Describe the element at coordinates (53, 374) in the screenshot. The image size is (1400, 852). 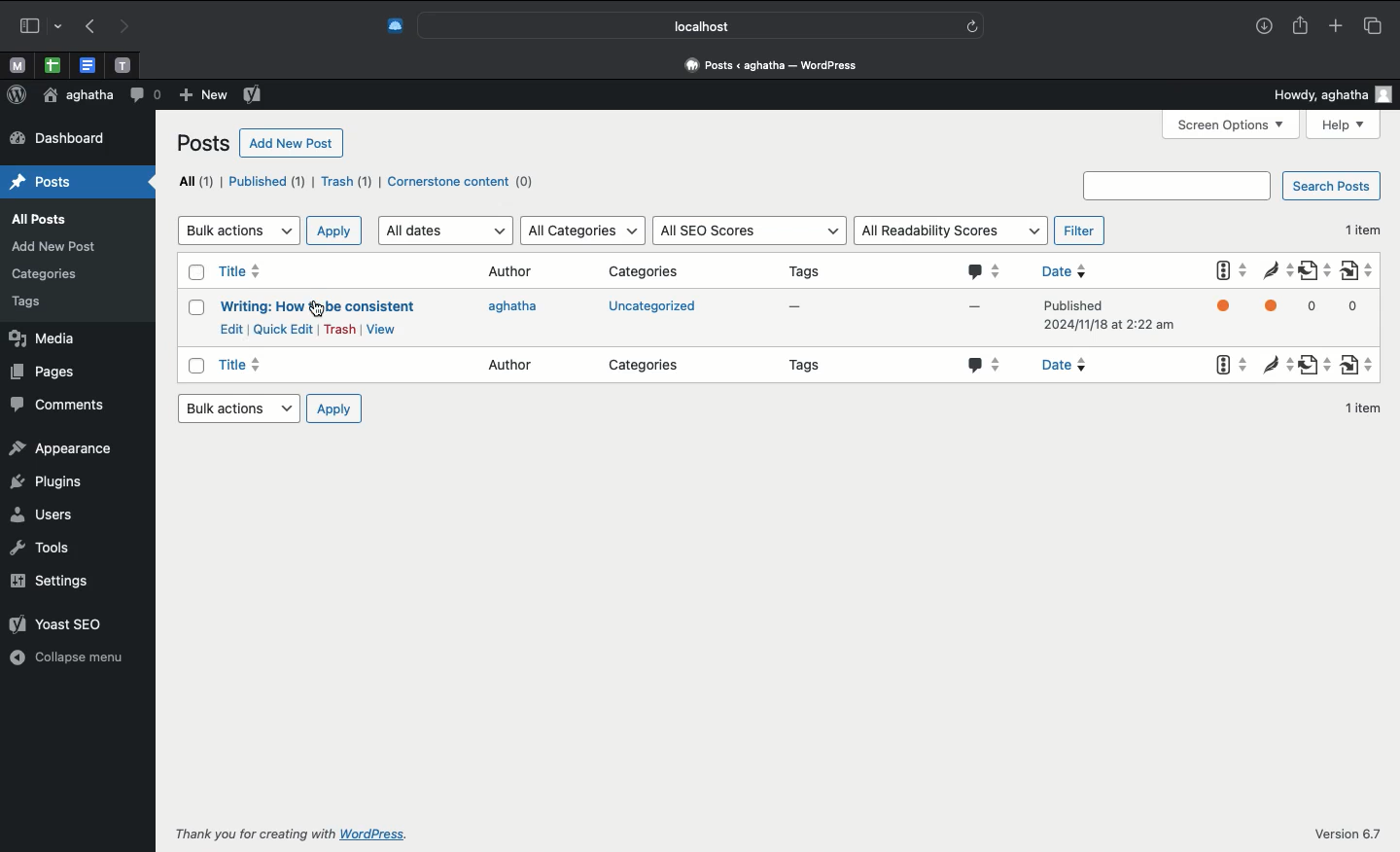
I see `pages` at that location.